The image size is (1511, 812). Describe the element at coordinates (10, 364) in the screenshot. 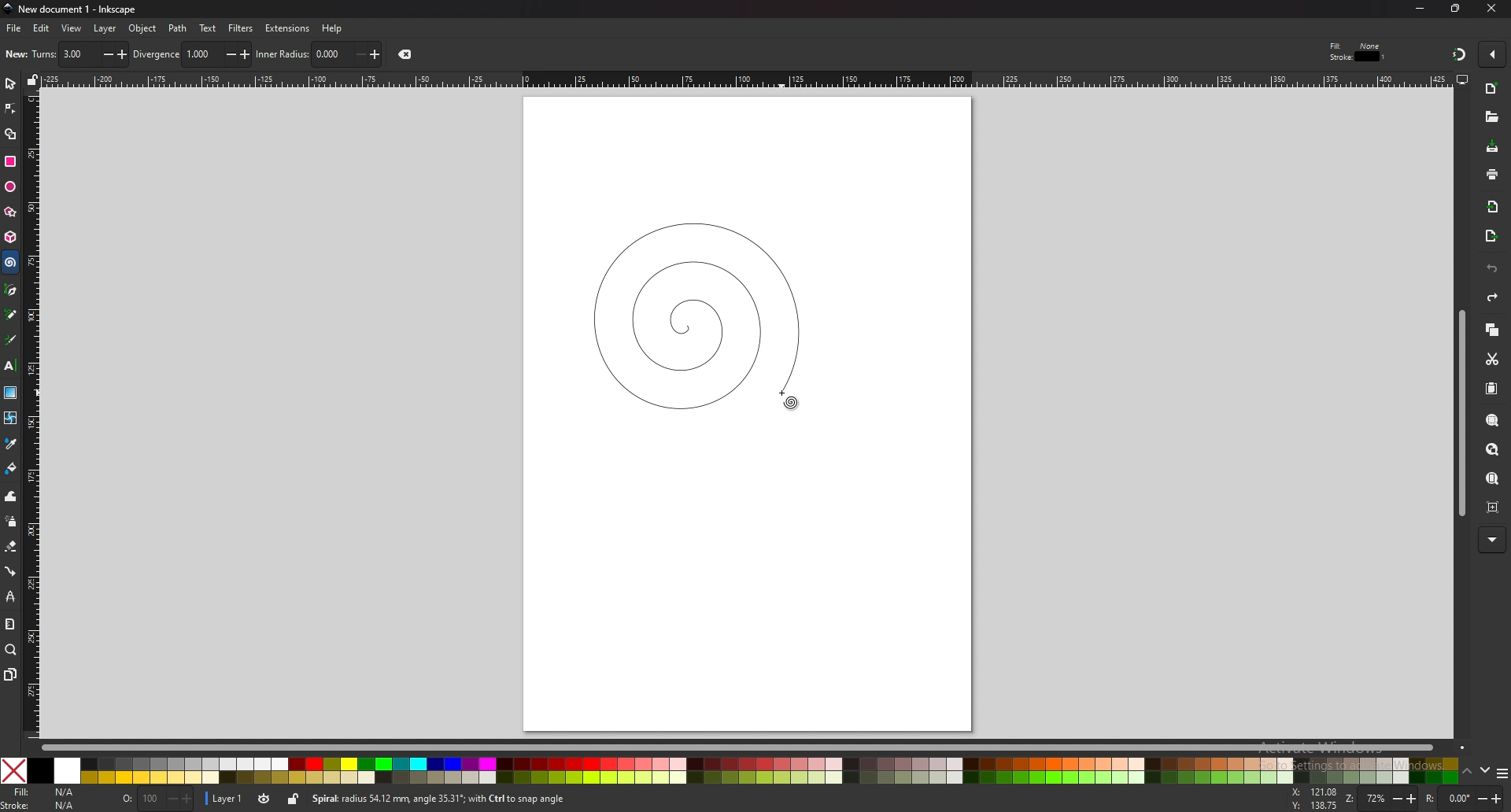

I see `text` at that location.